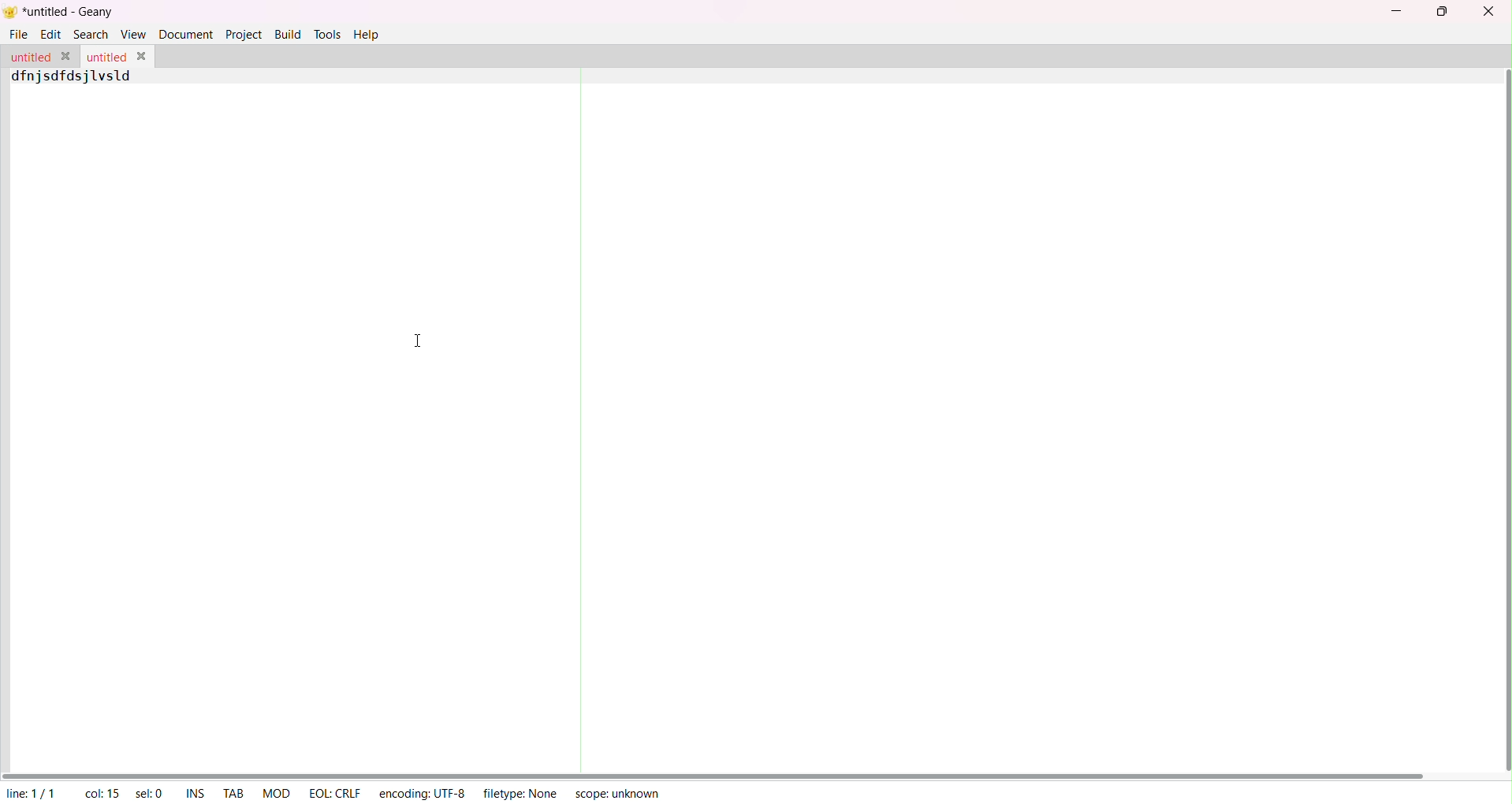 This screenshot has width=1512, height=804. Describe the element at coordinates (421, 791) in the screenshot. I see `encoding: UTF-8` at that location.